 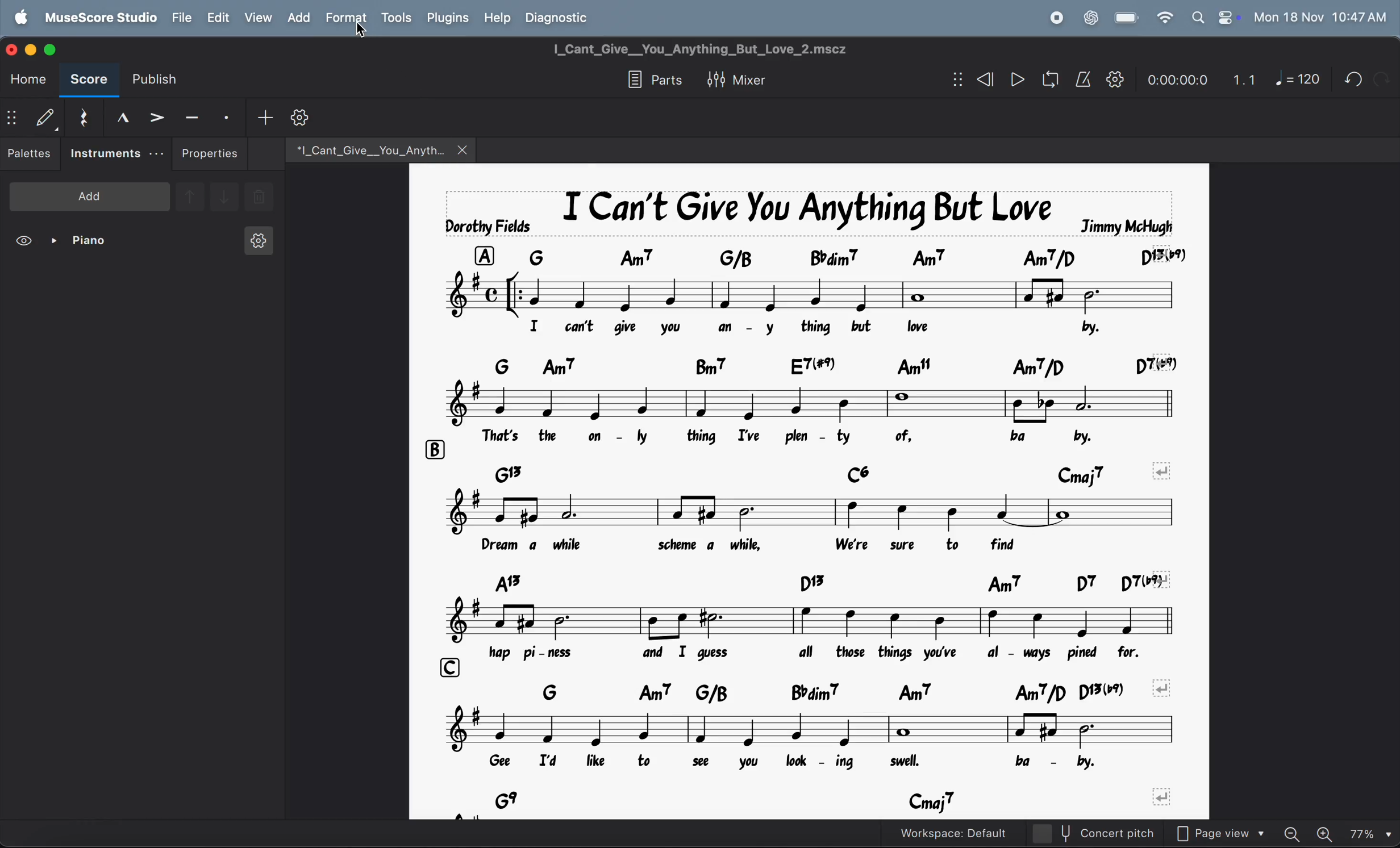 I want to click on chord symbols, so click(x=857, y=256).